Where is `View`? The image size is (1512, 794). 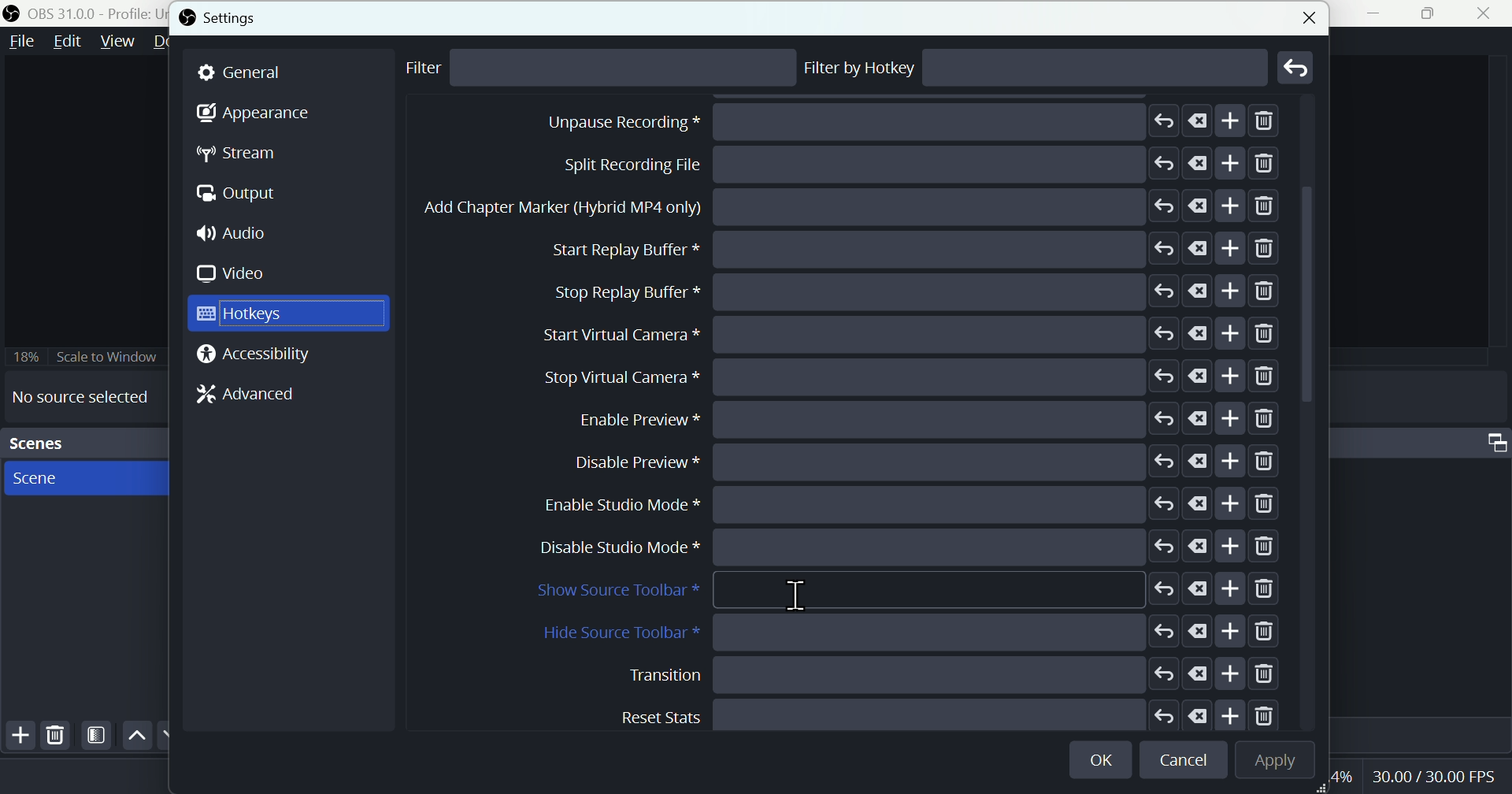
View is located at coordinates (114, 42).